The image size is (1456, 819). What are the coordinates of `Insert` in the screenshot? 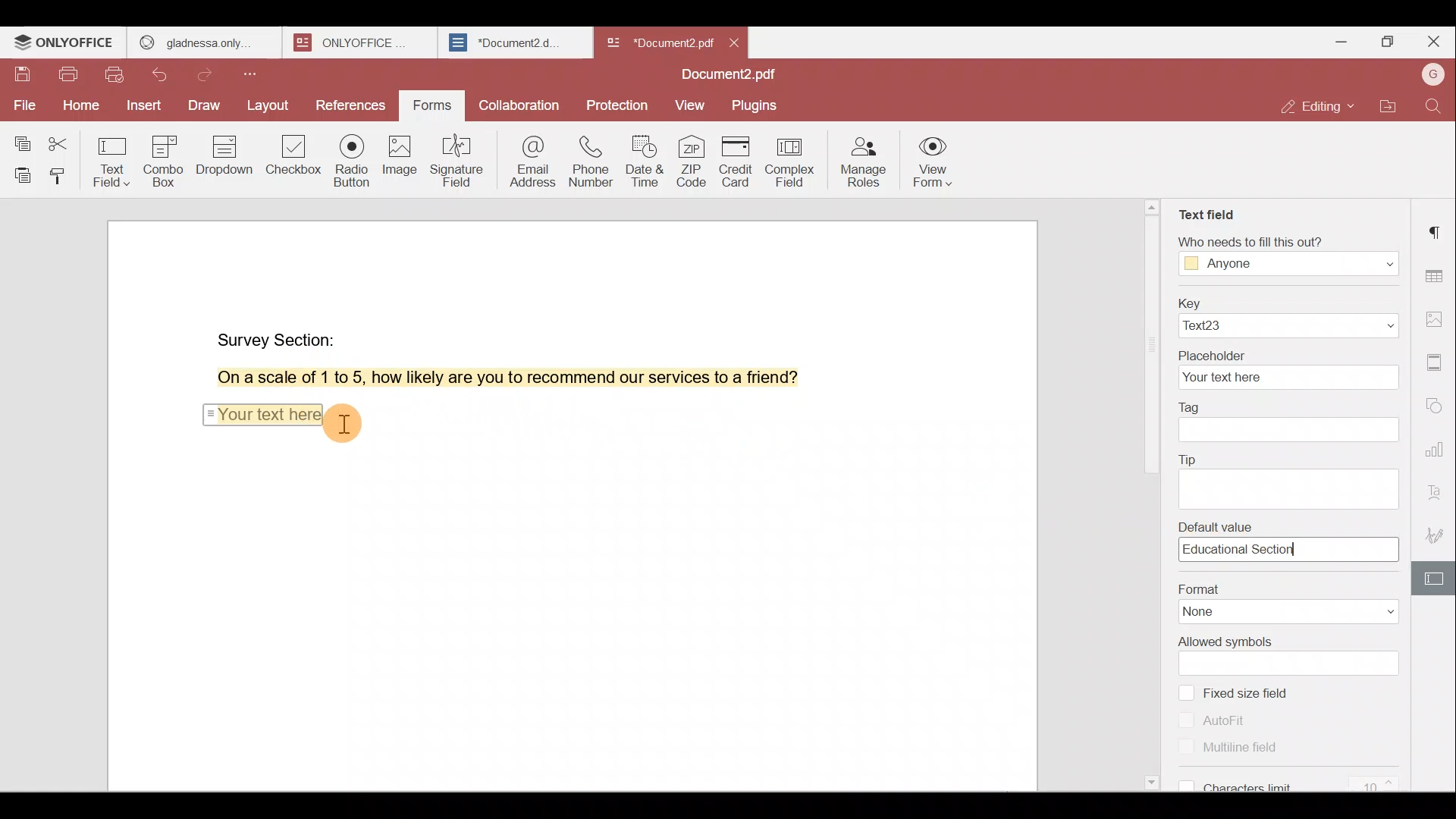 It's located at (144, 107).